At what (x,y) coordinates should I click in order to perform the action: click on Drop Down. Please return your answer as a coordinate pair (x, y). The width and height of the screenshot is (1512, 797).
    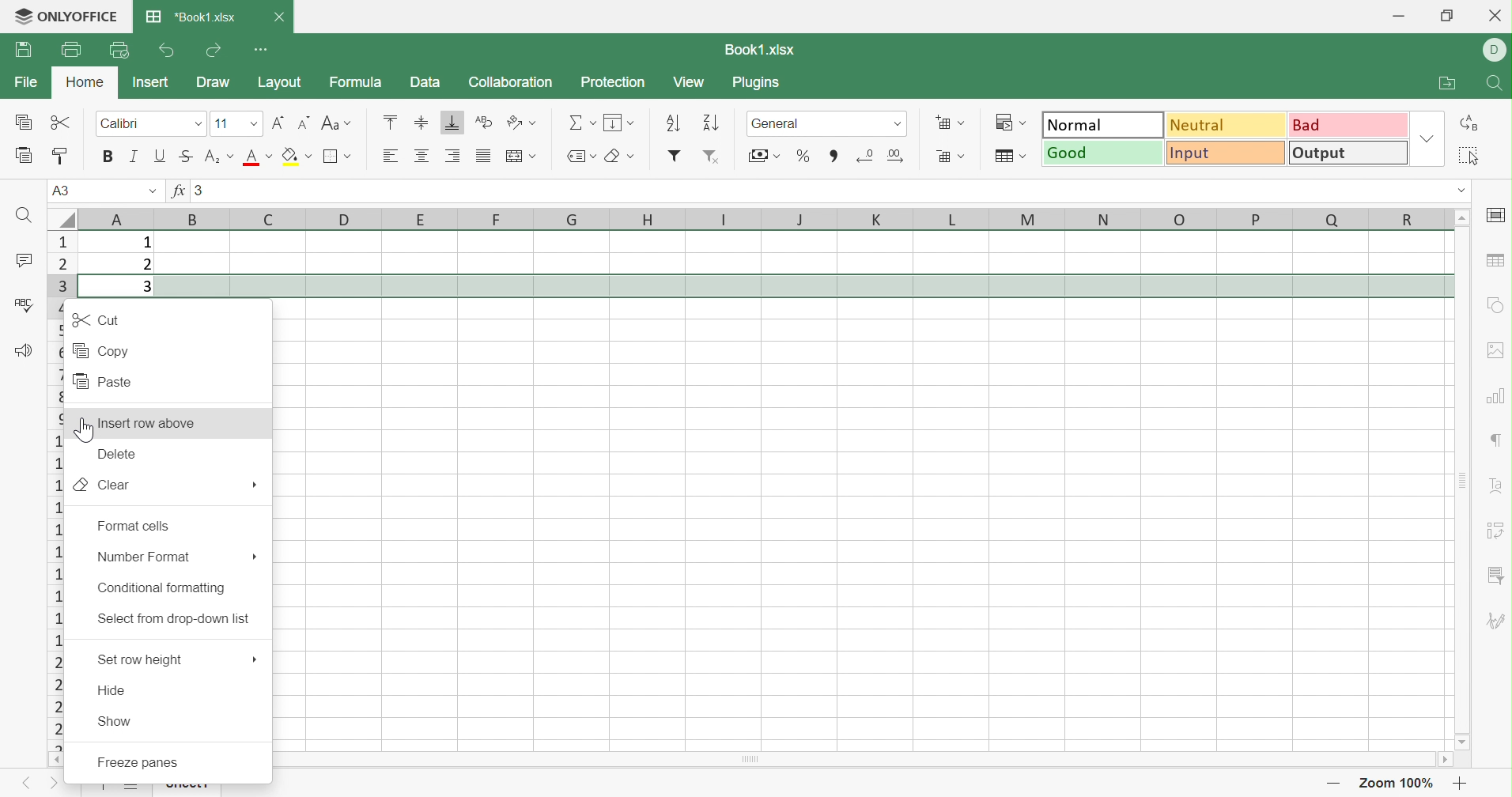
    Looking at the image, I should click on (595, 156).